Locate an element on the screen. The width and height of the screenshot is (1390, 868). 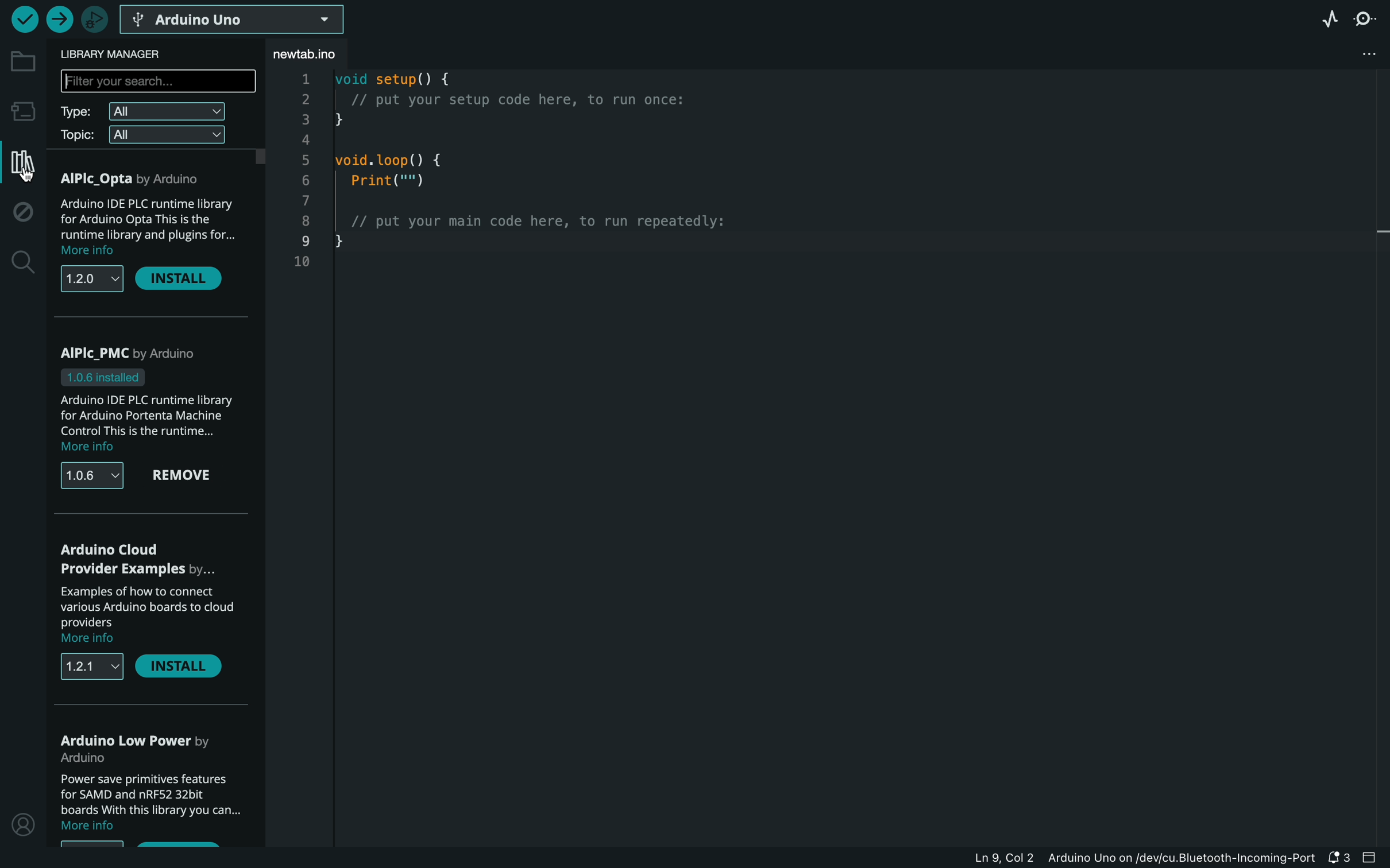
type filter is located at coordinates (143, 113).